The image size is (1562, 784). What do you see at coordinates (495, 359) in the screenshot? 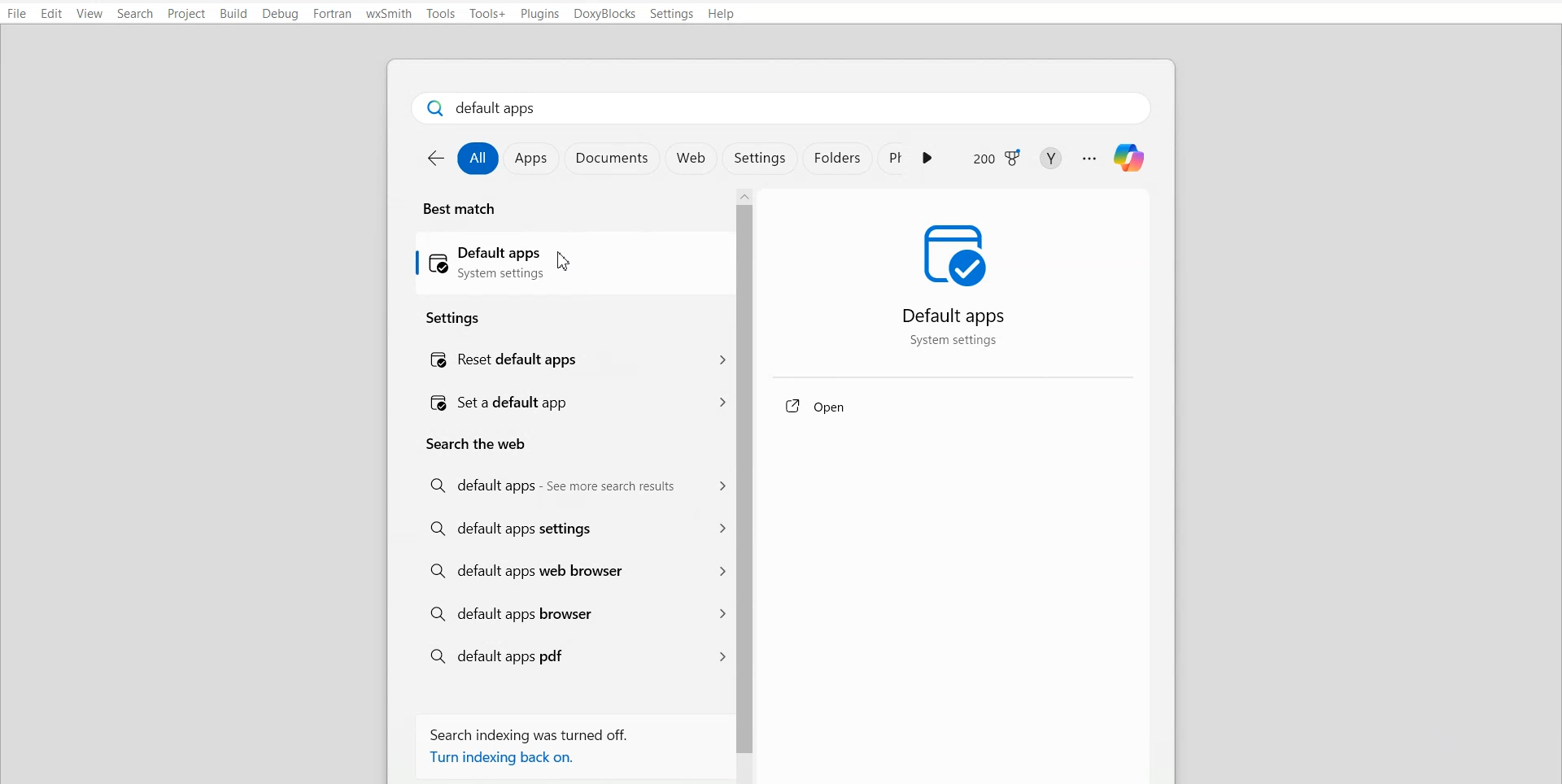
I see `Reset default apps` at bounding box center [495, 359].